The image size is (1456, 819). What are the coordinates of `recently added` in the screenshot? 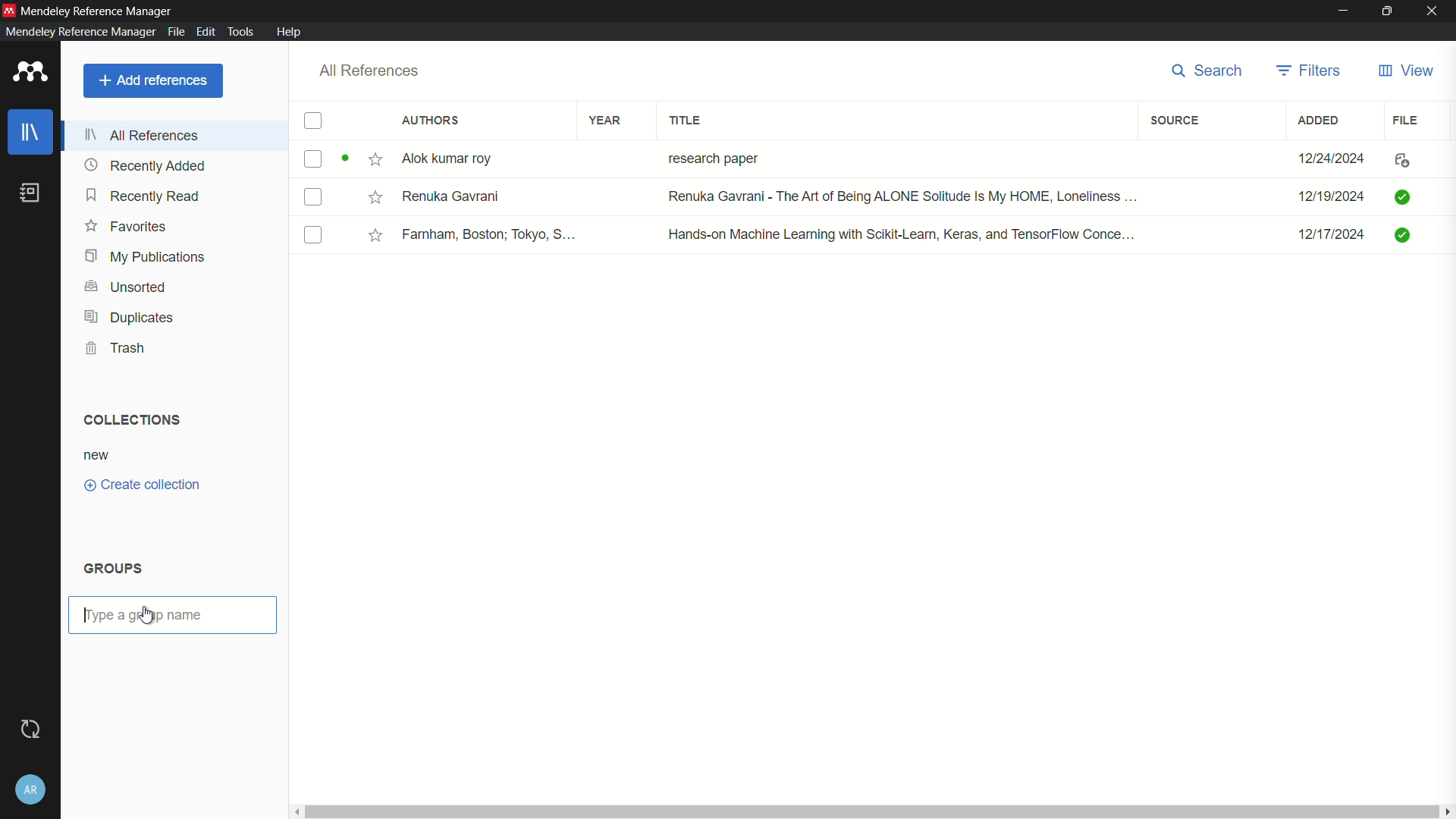 It's located at (146, 165).